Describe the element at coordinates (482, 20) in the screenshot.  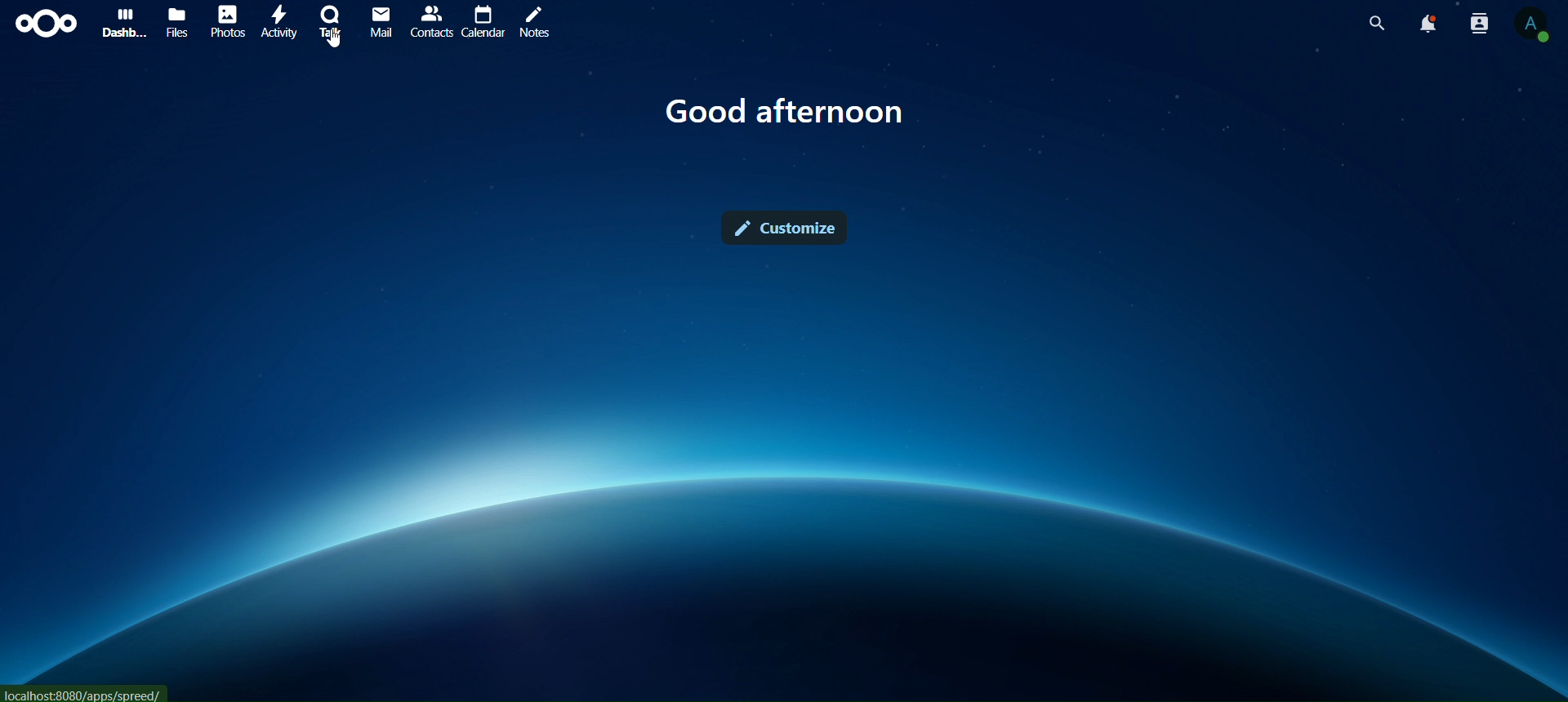
I see `calendar` at that location.